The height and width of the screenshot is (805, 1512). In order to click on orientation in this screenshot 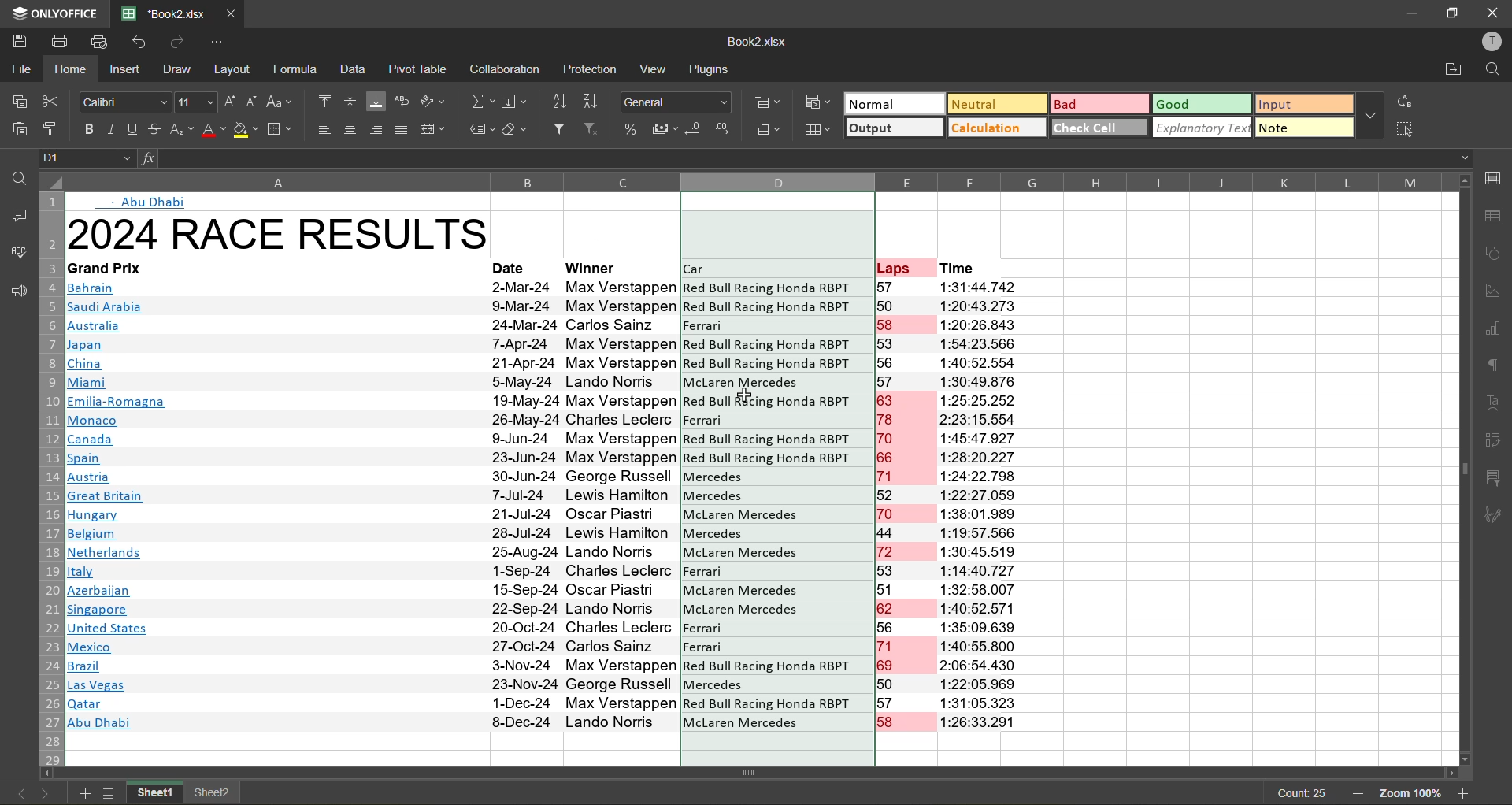, I will do `click(433, 102)`.